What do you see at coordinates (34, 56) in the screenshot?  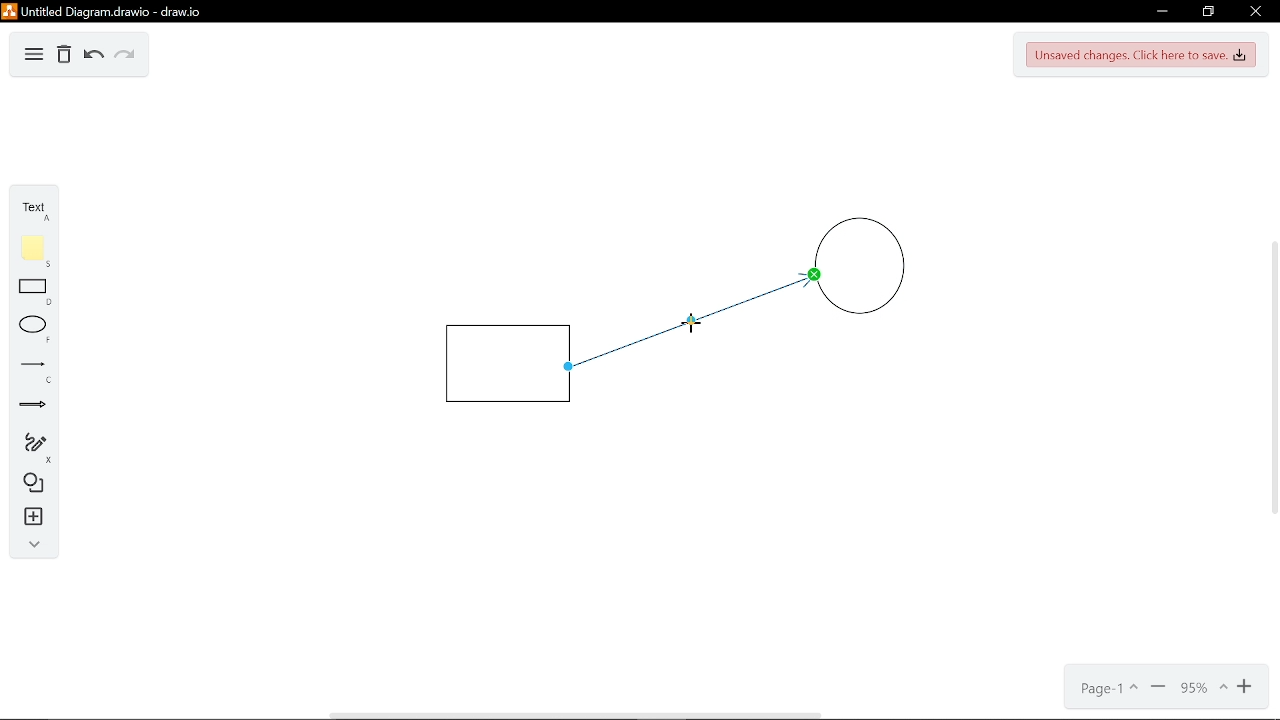 I see `Diagram` at bounding box center [34, 56].